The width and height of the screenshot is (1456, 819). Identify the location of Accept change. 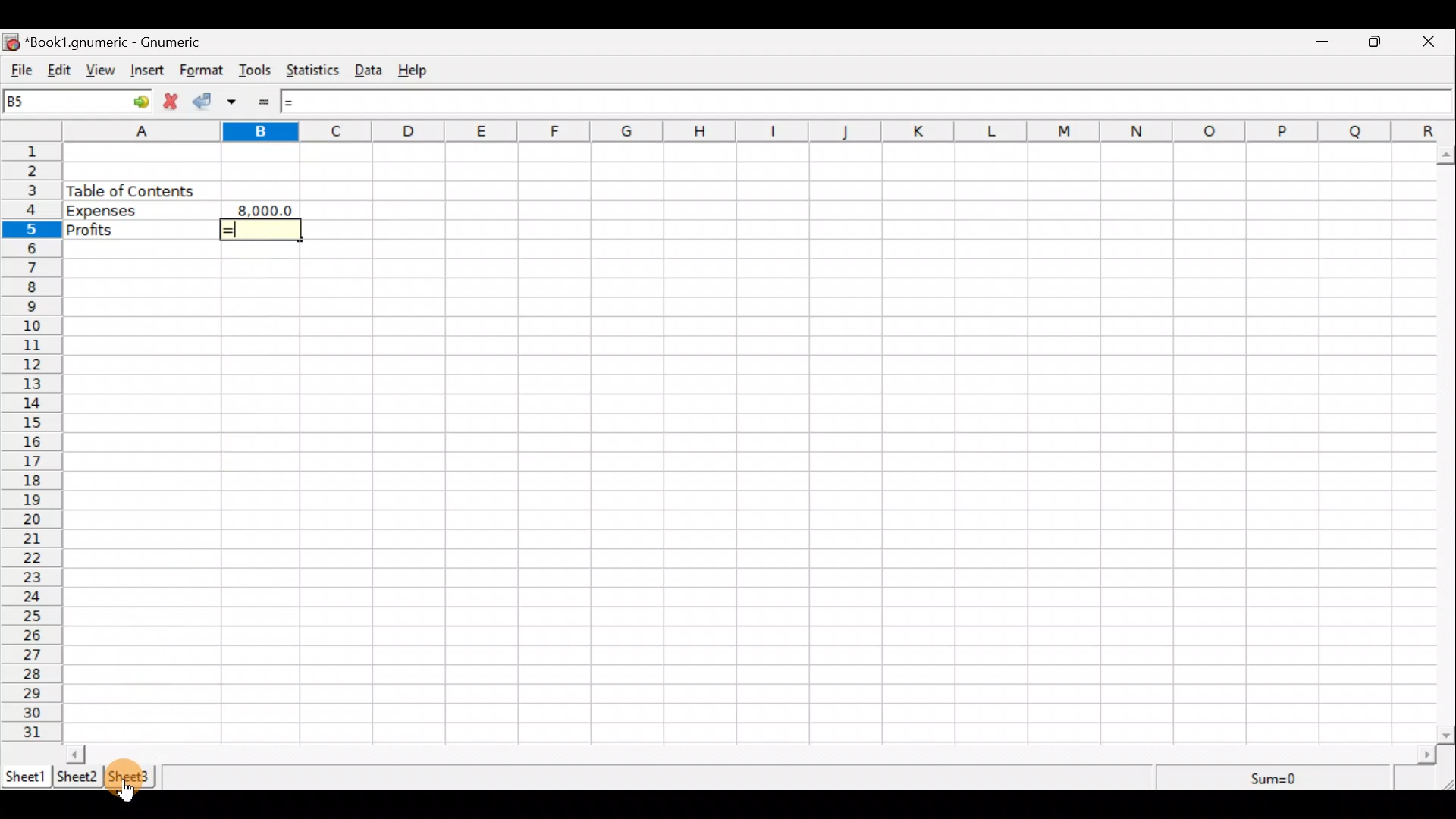
(206, 102).